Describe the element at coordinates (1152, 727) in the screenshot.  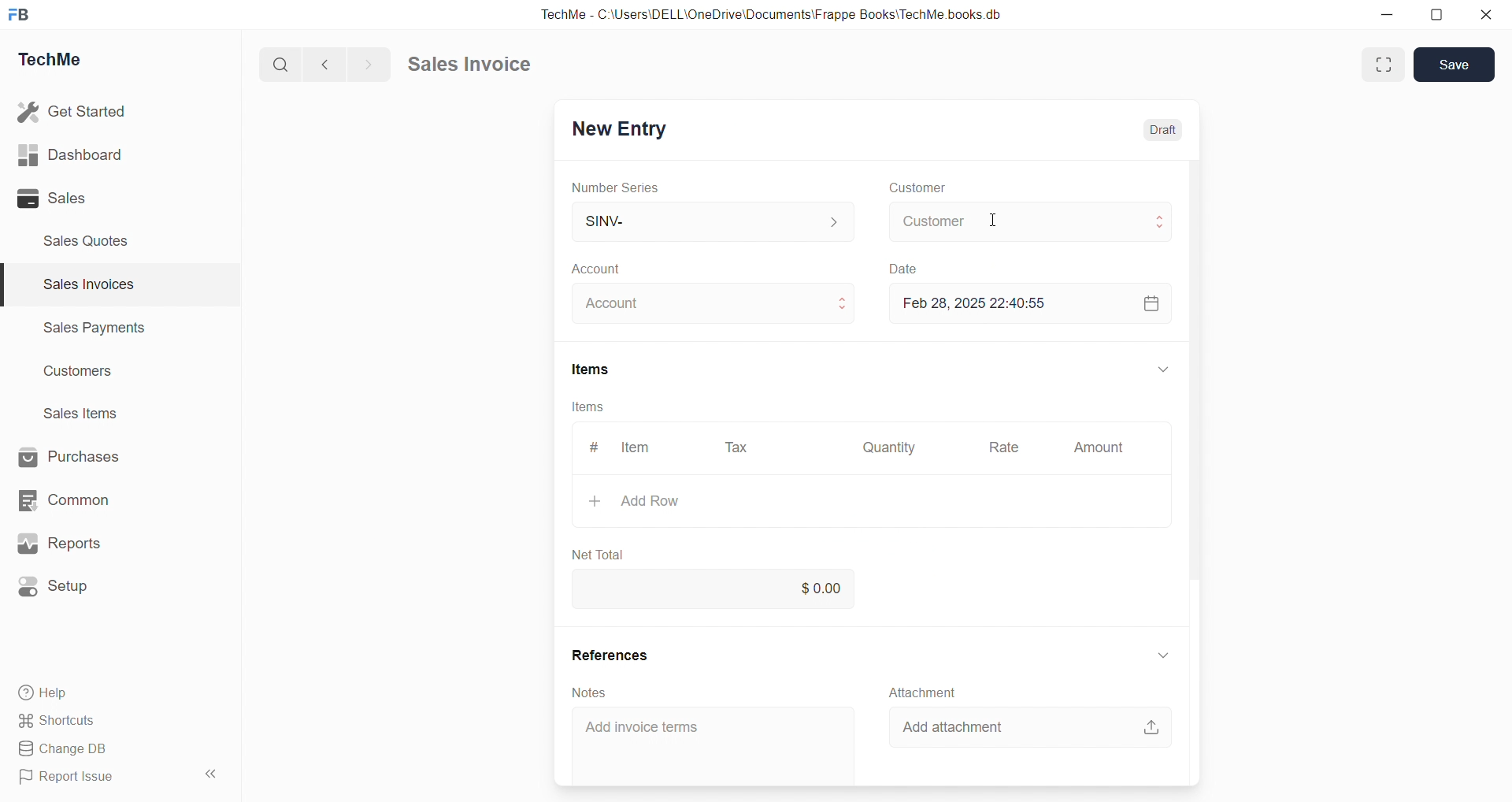
I see `upload` at that location.